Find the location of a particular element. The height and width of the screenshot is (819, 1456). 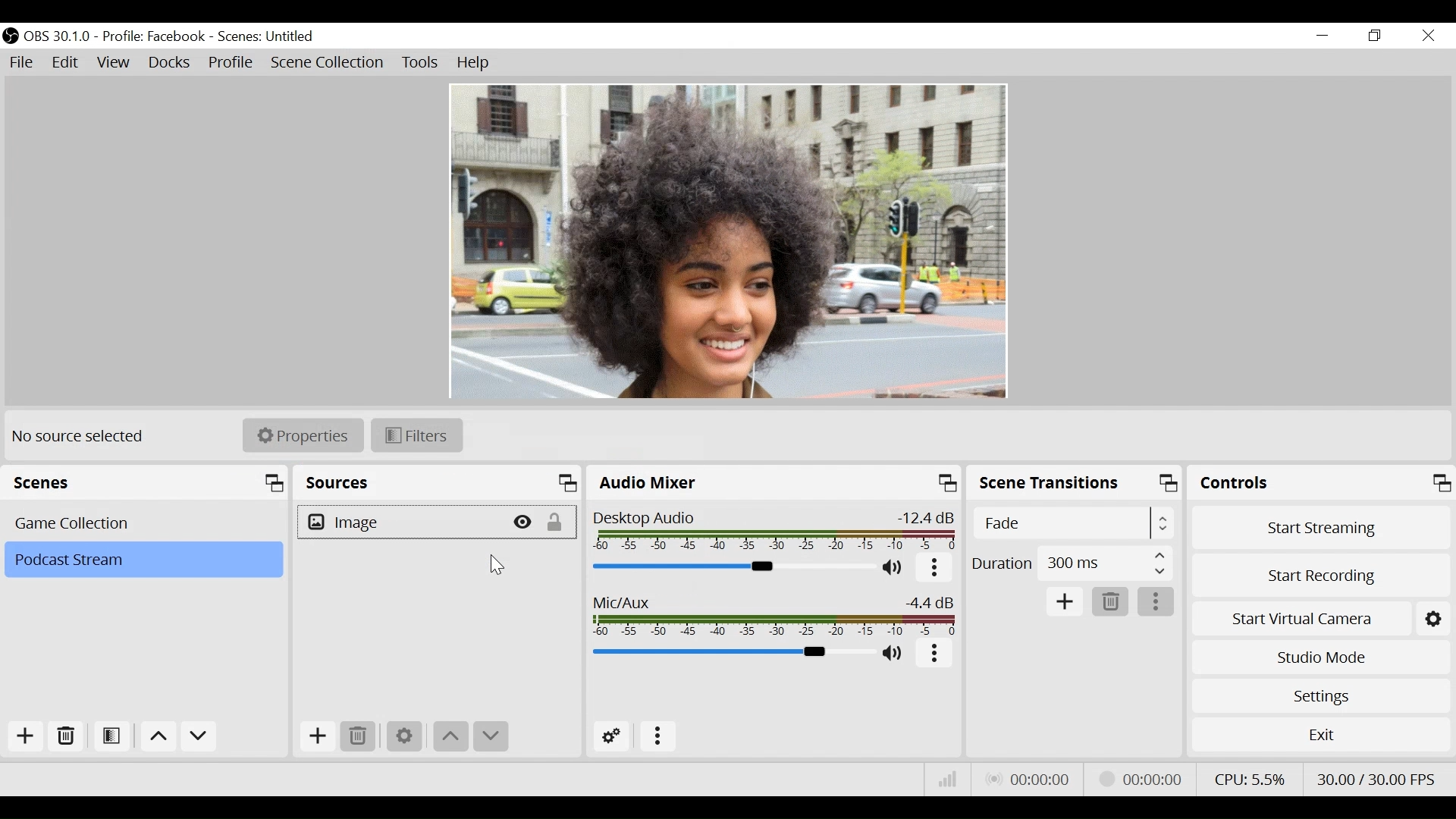

Properties is located at coordinates (303, 435).